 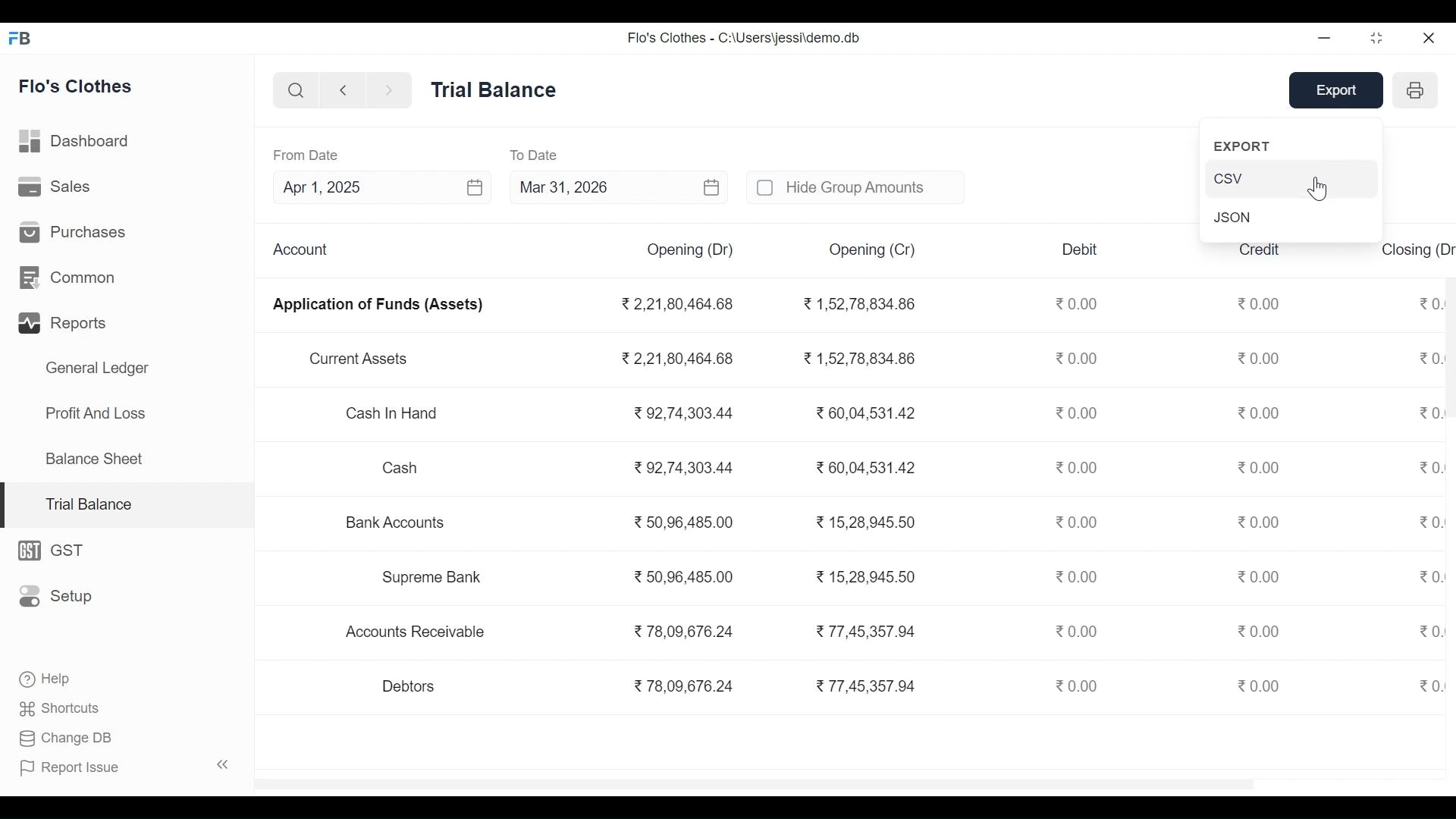 What do you see at coordinates (868, 576) in the screenshot?
I see `15,28,945.50` at bounding box center [868, 576].